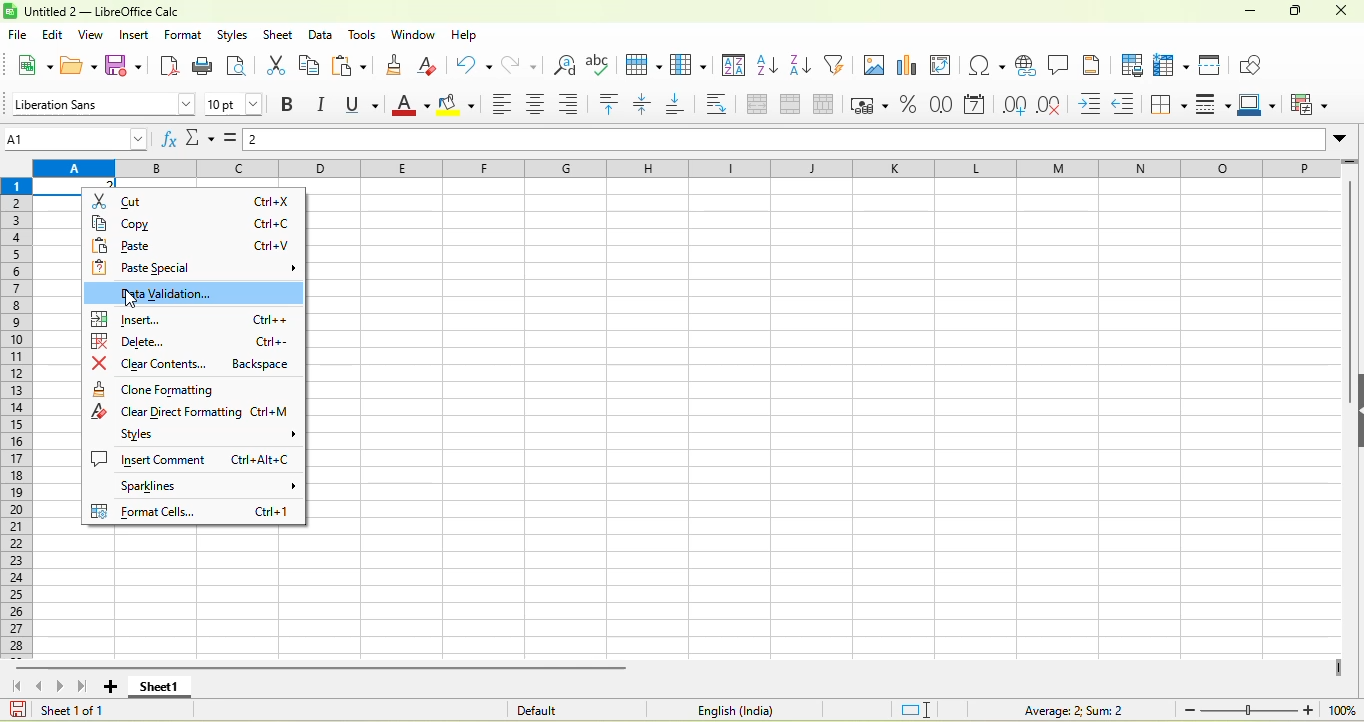 The image size is (1364, 722). Describe the element at coordinates (191, 270) in the screenshot. I see `paste special` at that location.